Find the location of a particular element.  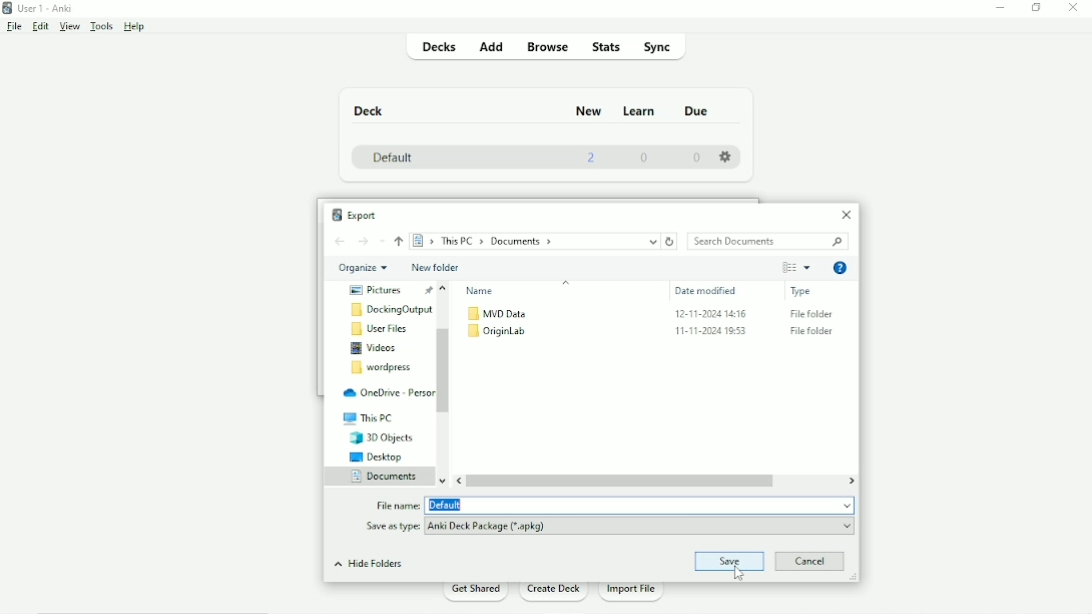

Settings is located at coordinates (727, 157).